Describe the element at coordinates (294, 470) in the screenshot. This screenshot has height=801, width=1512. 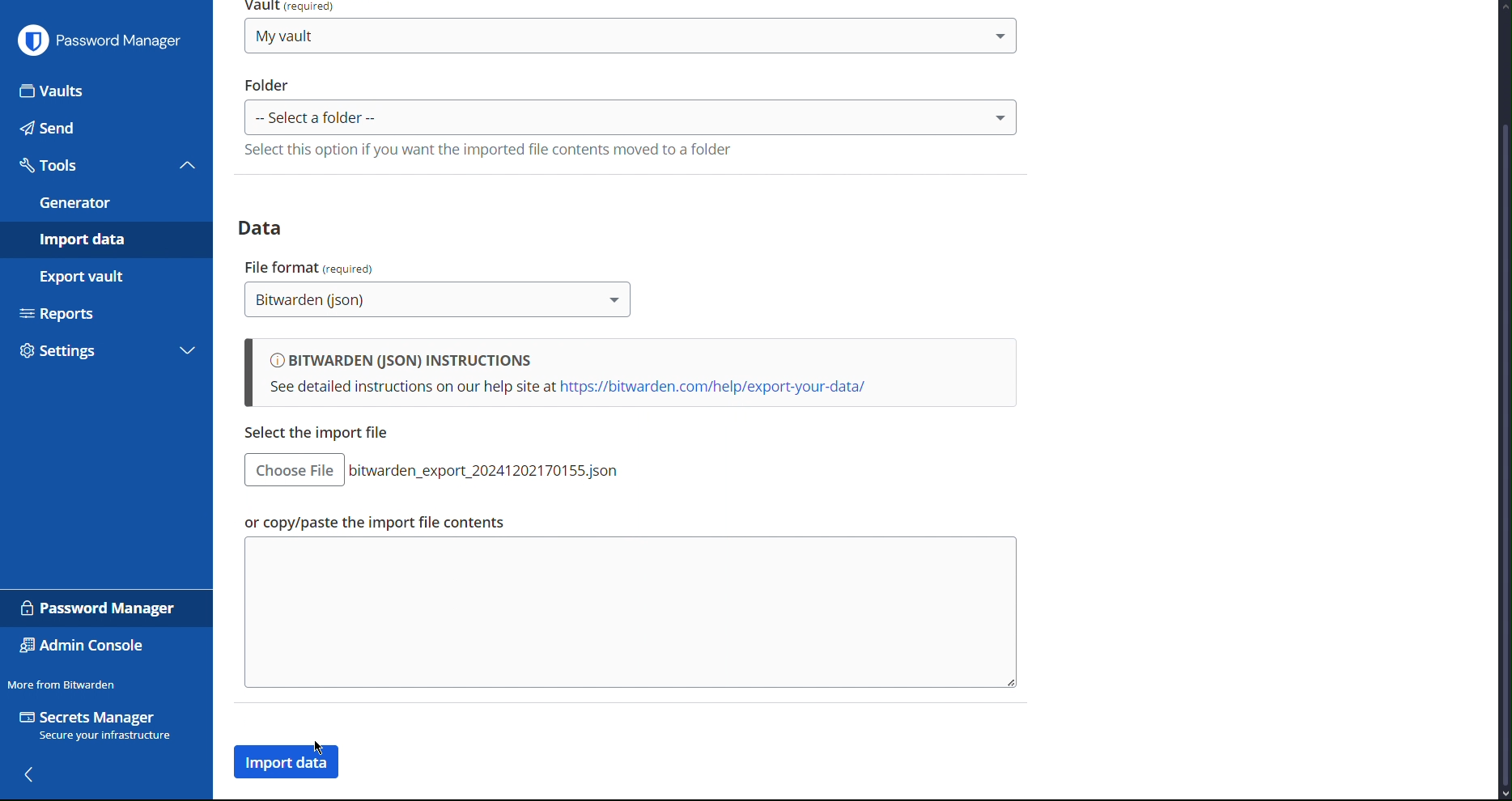
I see `choose file` at that location.